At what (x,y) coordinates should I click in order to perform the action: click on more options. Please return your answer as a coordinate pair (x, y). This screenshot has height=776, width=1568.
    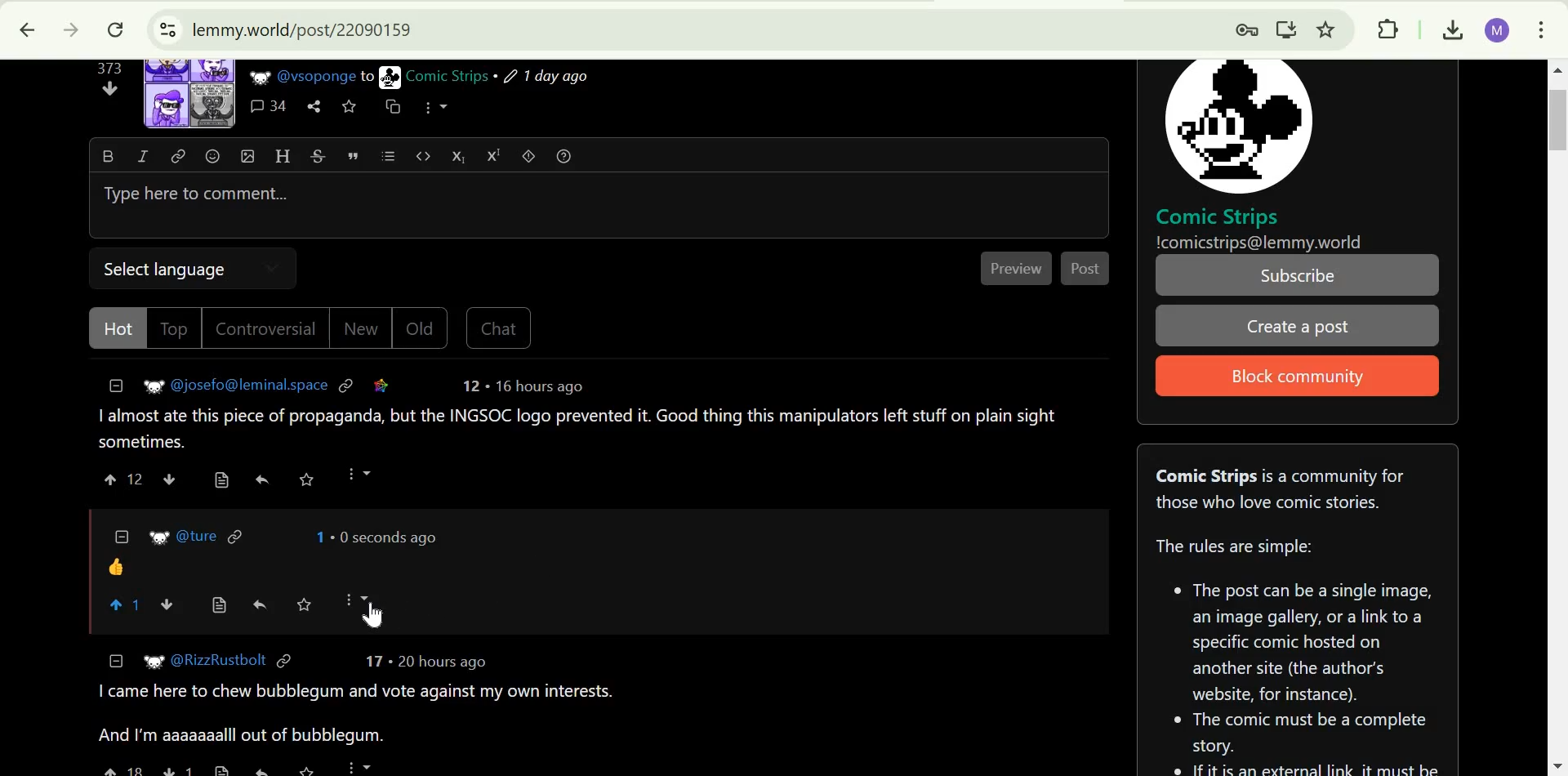
    Looking at the image, I should click on (357, 599).